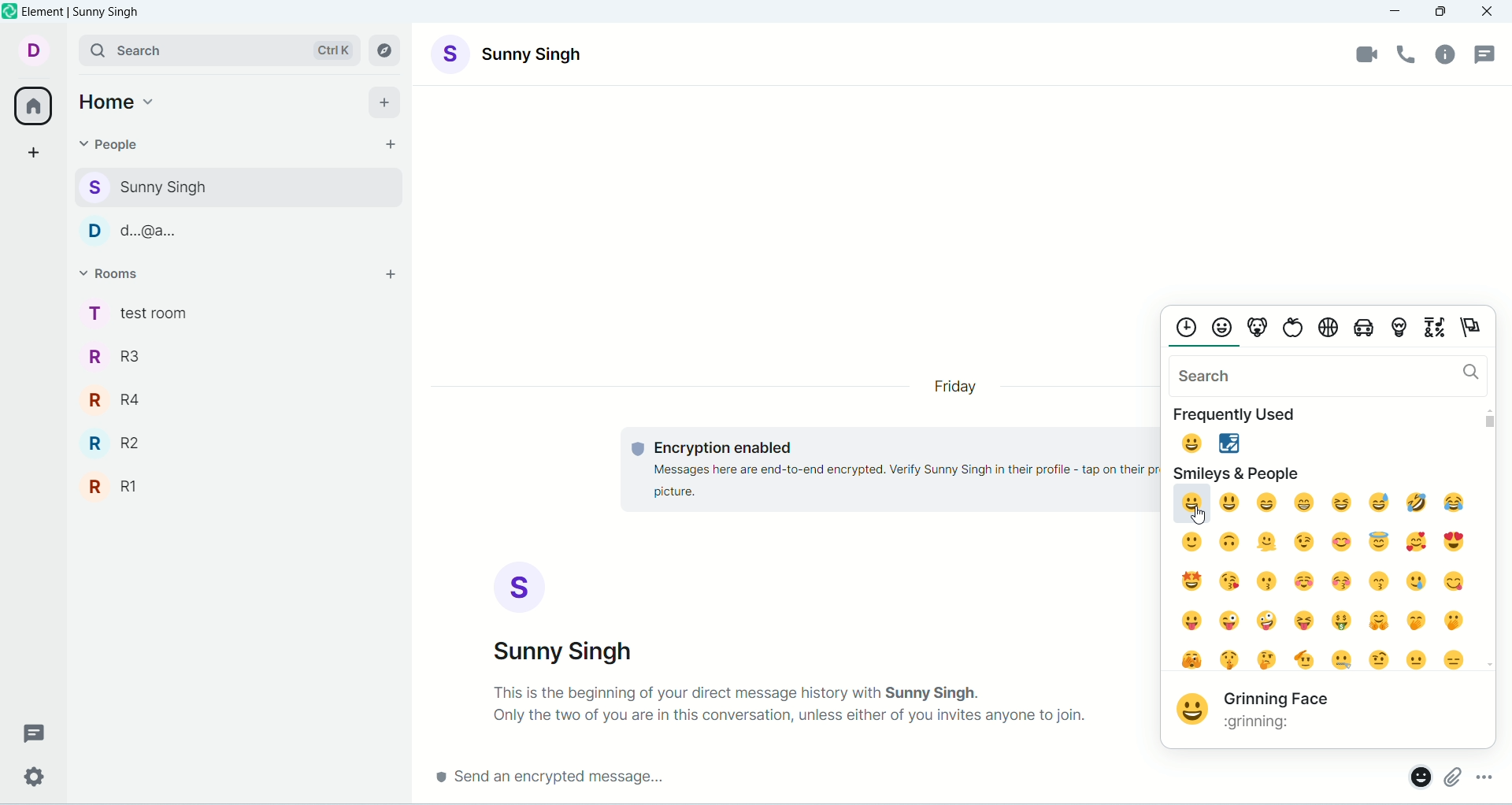 The image size is (1512, 805). Describe the element at coordinates (35, 154) in the screenshot. I see `create a space` at that location.